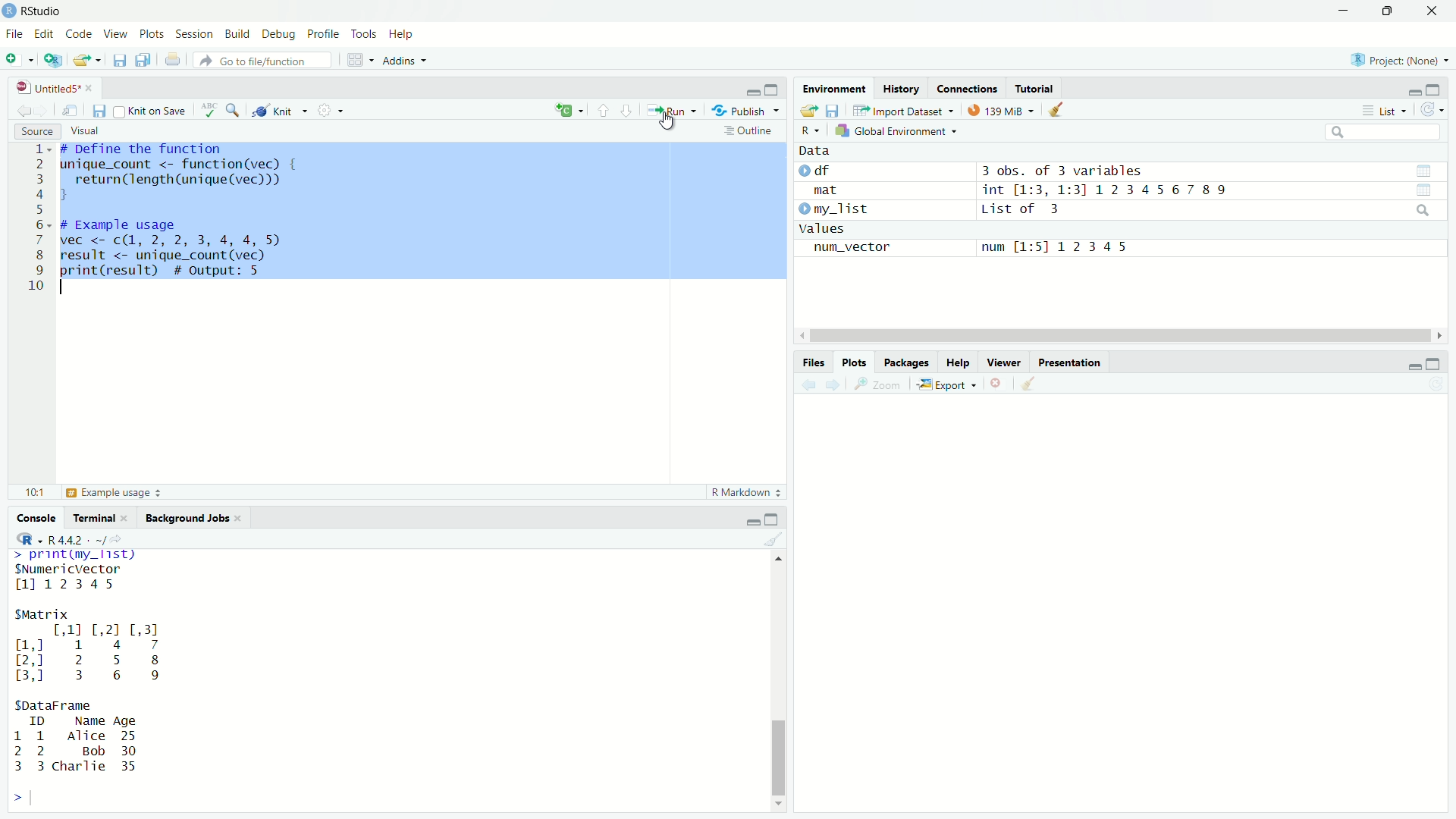  What do you see at coordinates (92, 666) in the screenshot?
I see `>. TRE Fay
SNumericVector
1112345
SMatrix
[,11 [,2] [,3]

ml 1 4 7
2,] 2 5 8
3,0 3 6 9
SDataFrame

ID Name Age
1 1 Alice 25
2 2 Bob 30
3 3 charlie 35` at bounding box center [92, 666].